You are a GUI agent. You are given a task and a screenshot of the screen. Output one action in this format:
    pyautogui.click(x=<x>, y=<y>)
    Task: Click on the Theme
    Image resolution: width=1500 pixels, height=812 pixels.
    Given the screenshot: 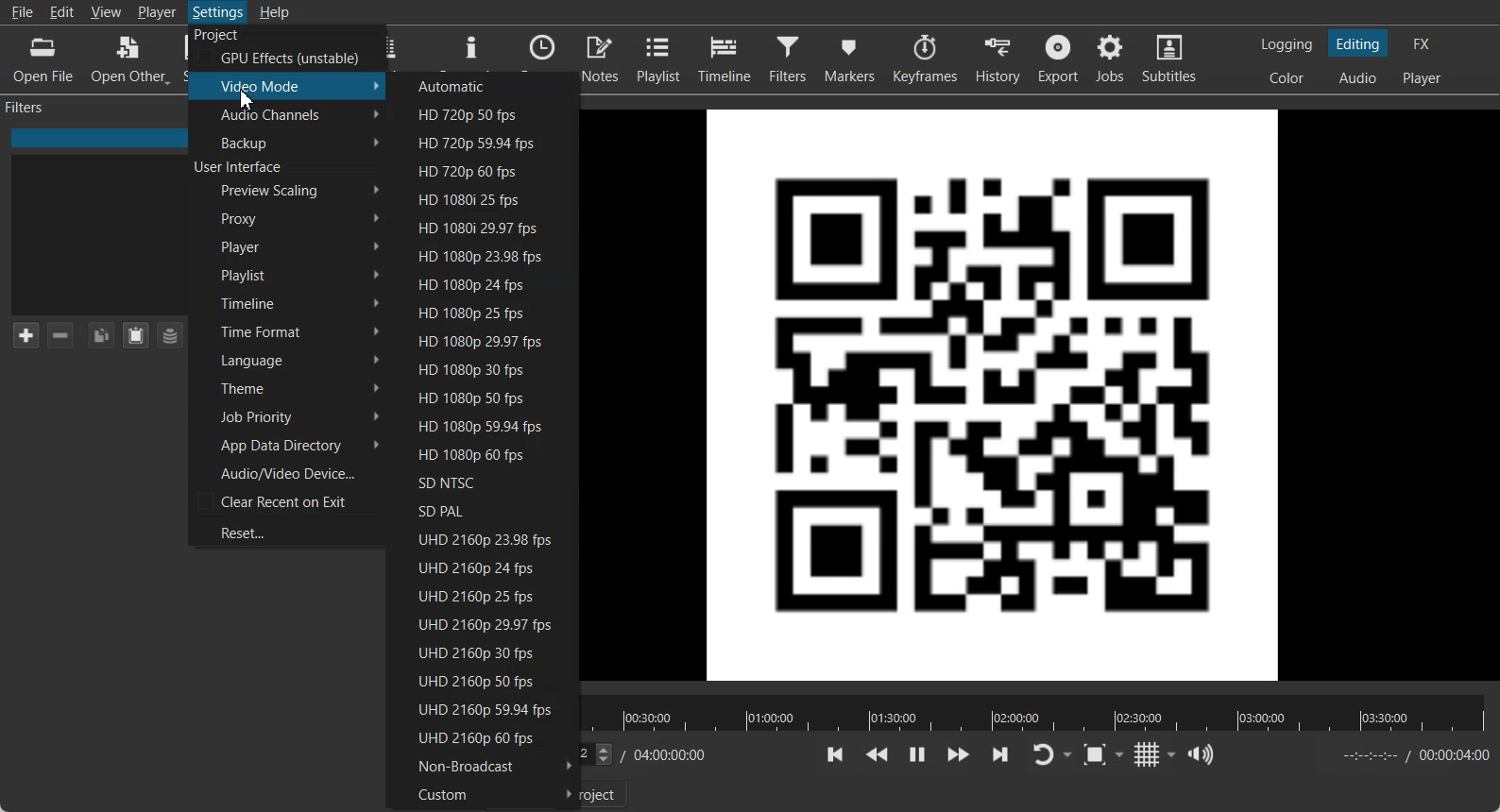 What is the action you would take?
    pyautogui.click(x=285, y=387)
    